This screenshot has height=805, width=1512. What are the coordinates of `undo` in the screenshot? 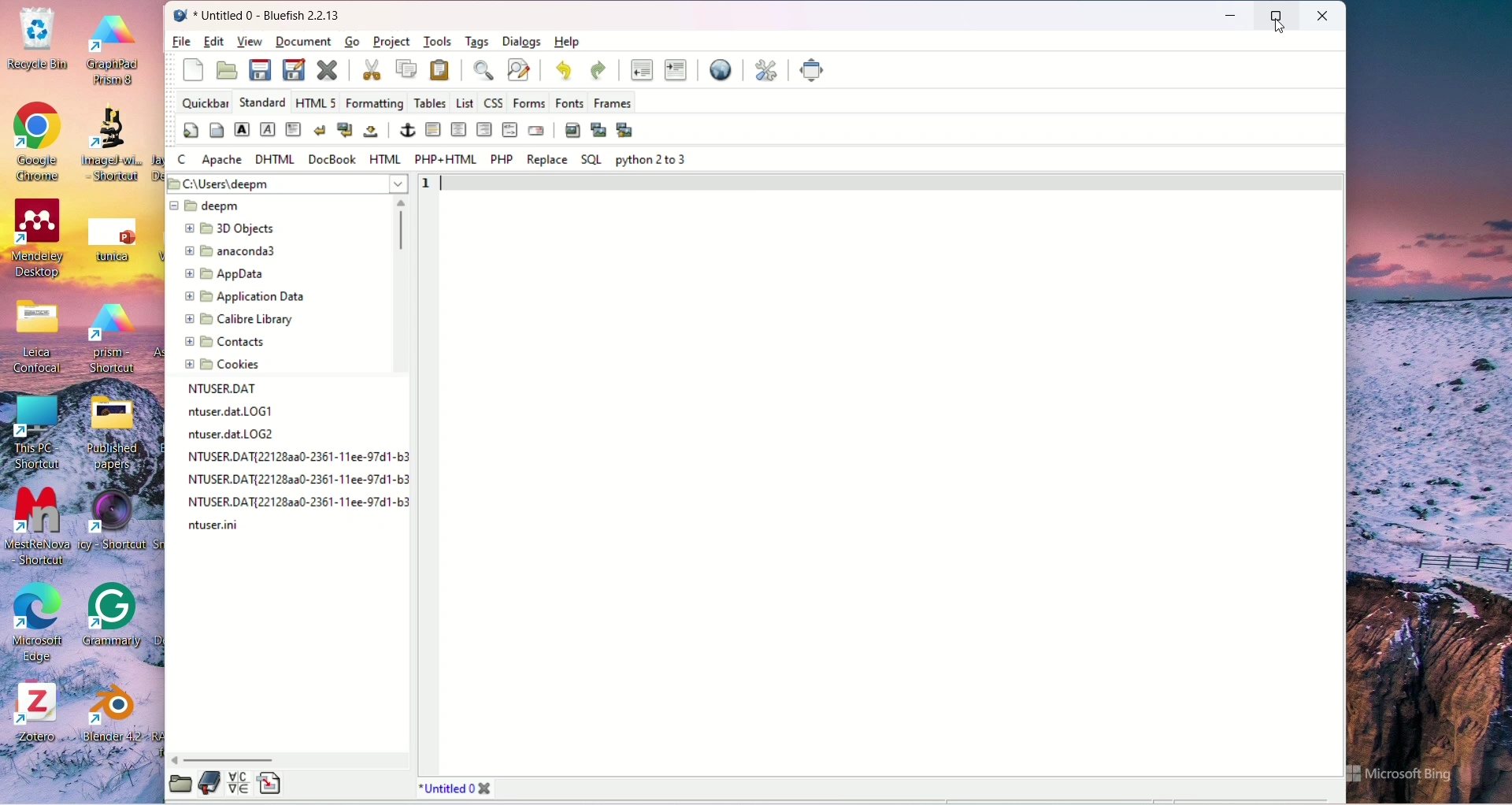 It's located at (565, 70).